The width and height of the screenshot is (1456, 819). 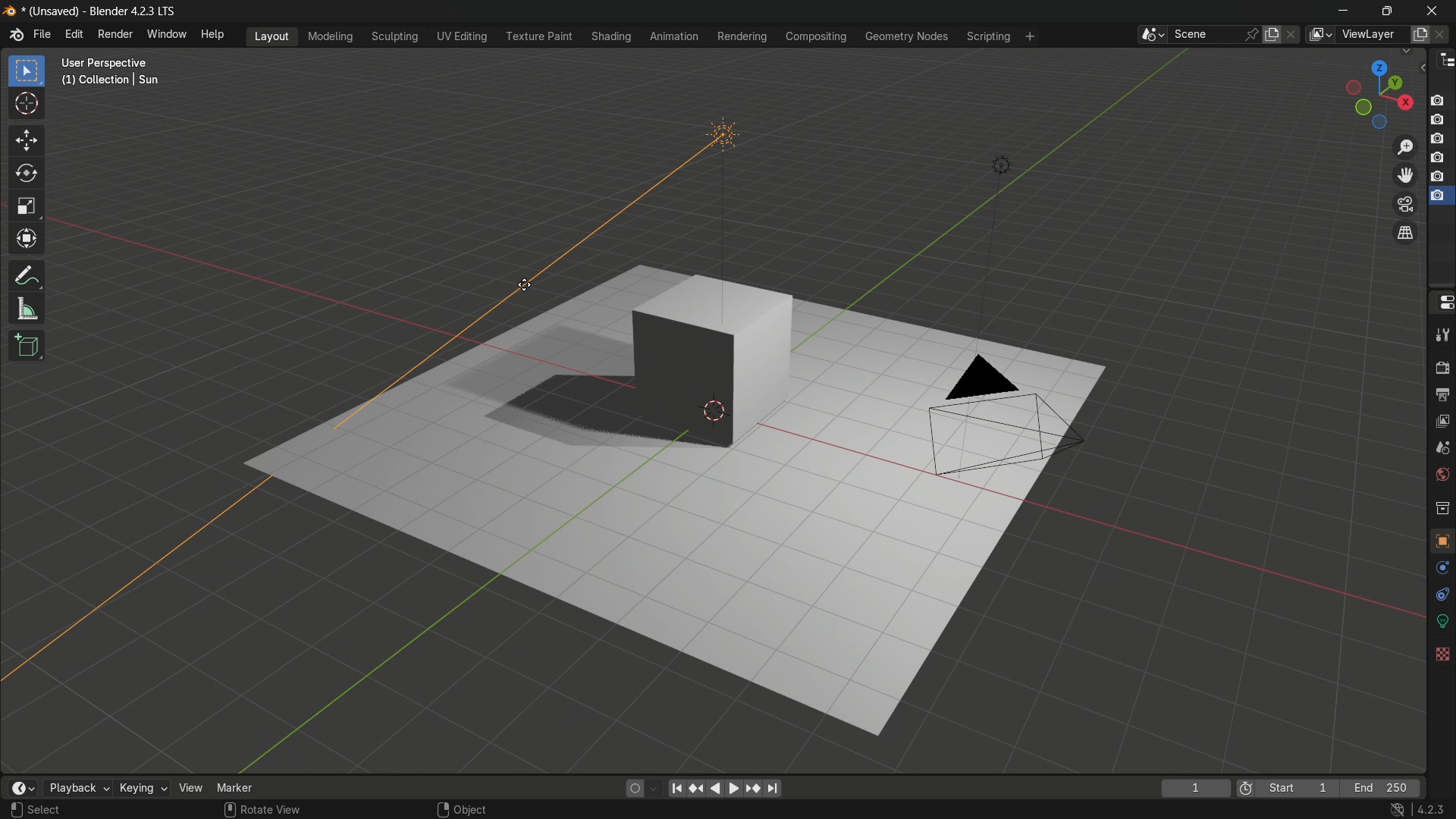 What do you see at coordinates (441, 809) in the screenshot?
I see `right click` at bounding box center [441, 809].